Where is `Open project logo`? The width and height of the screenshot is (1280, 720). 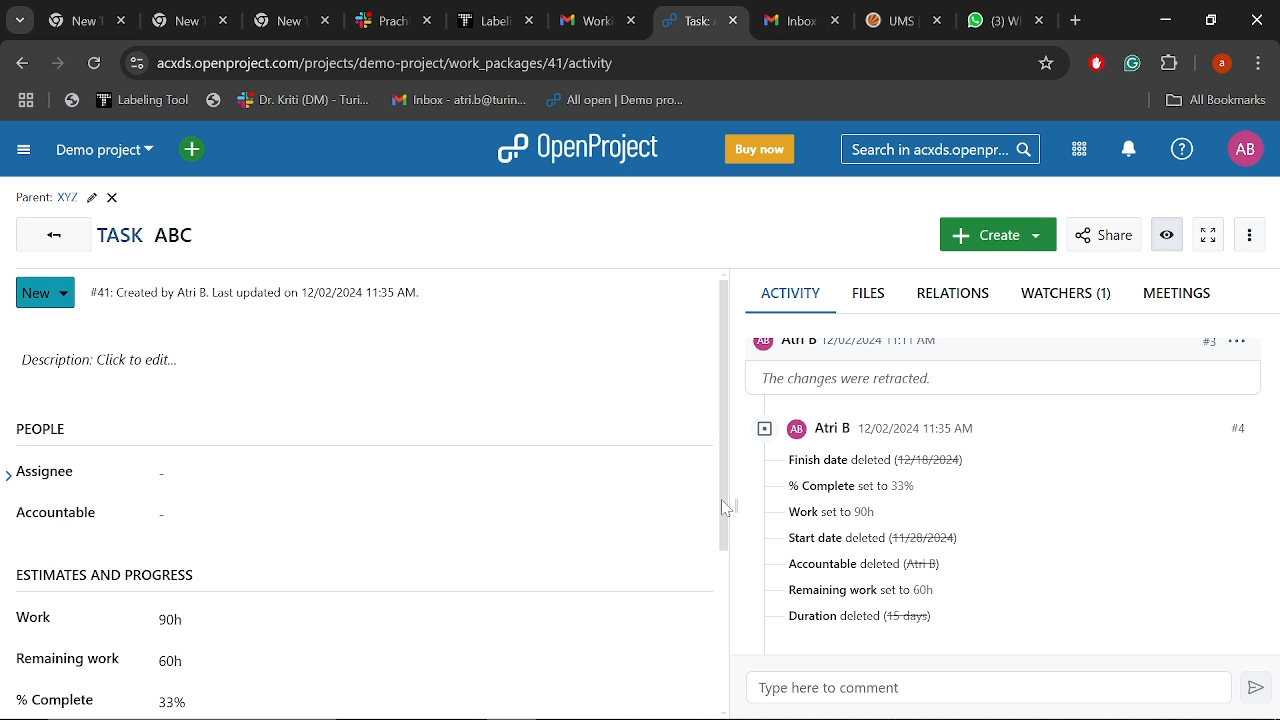 Open project logo is located at coordinates (576, 147).